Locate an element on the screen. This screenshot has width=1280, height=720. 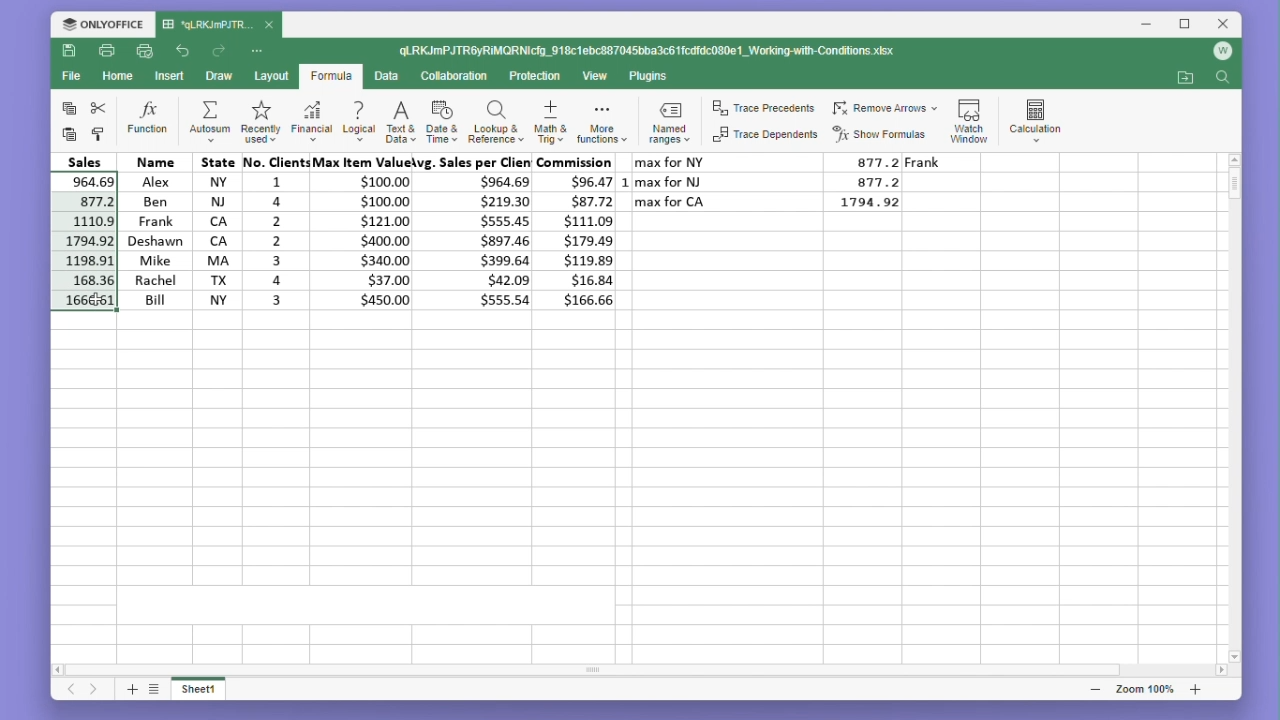
Protection is located at coordinates (533, 77).